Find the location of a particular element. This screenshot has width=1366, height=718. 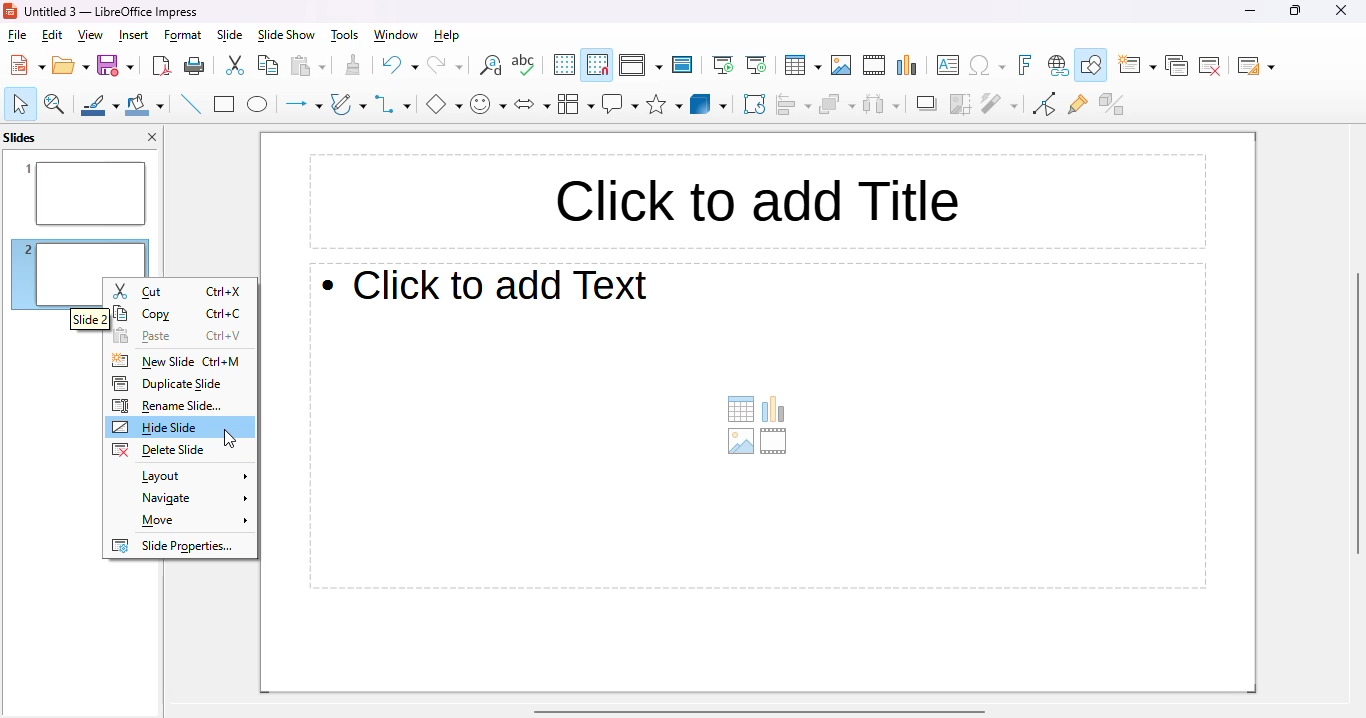

navigate is located at coordinates (193, 498).